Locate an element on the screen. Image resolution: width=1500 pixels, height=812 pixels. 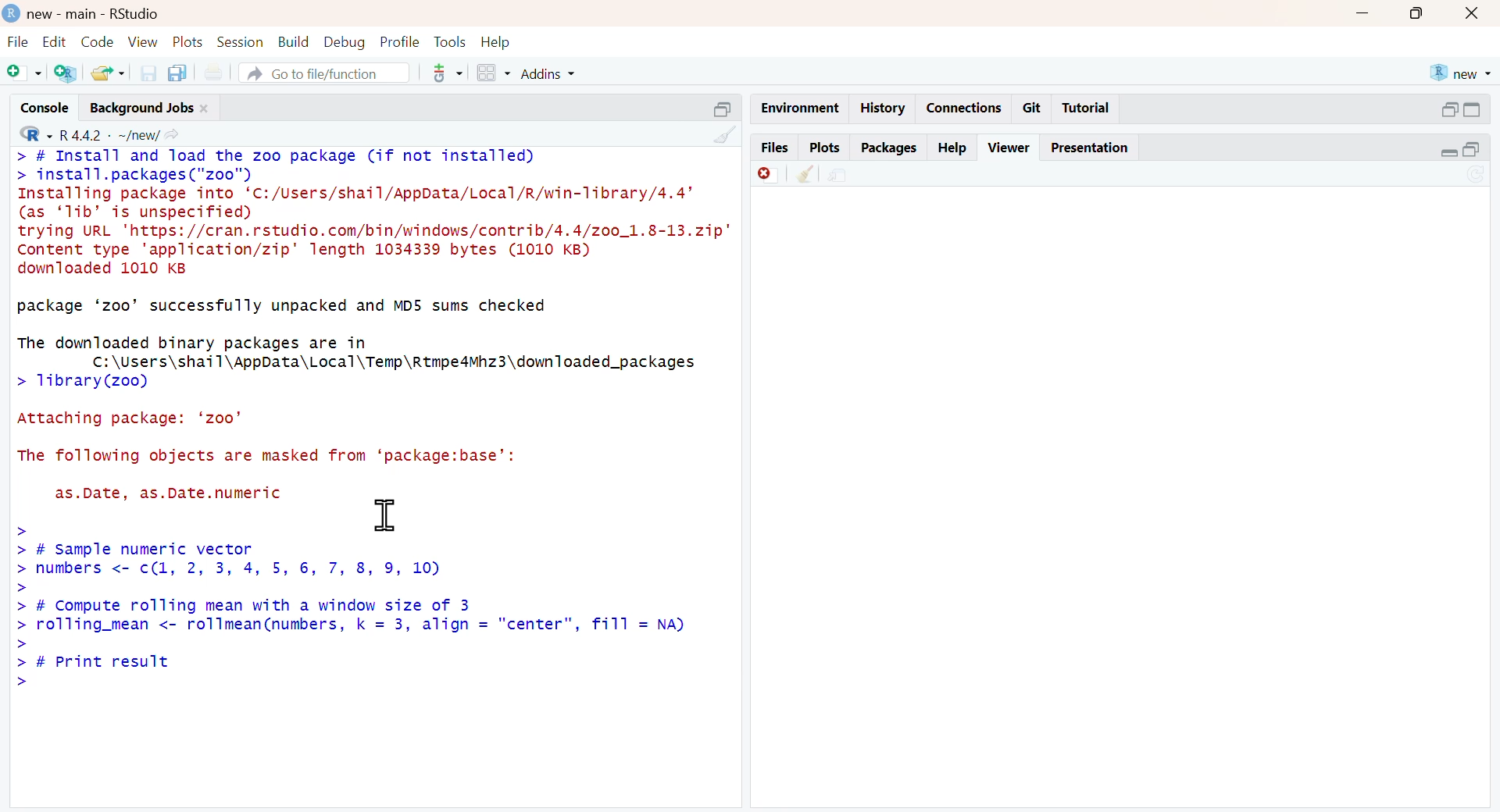
grid is located at coordinates (496, 73).